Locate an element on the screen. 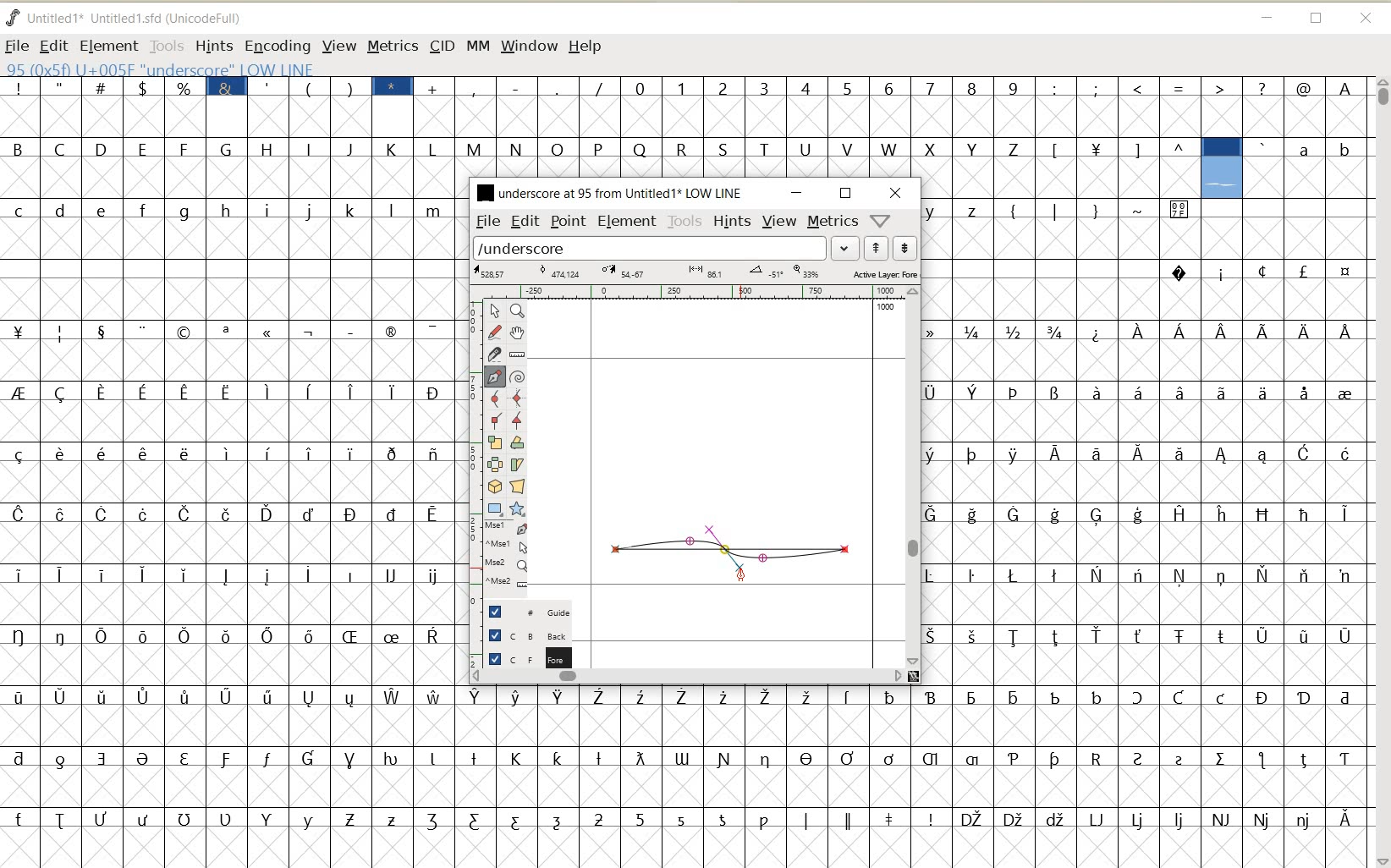  GLYPHY CHARACTERS & NUMBERS is located at coordinates (913, 100).